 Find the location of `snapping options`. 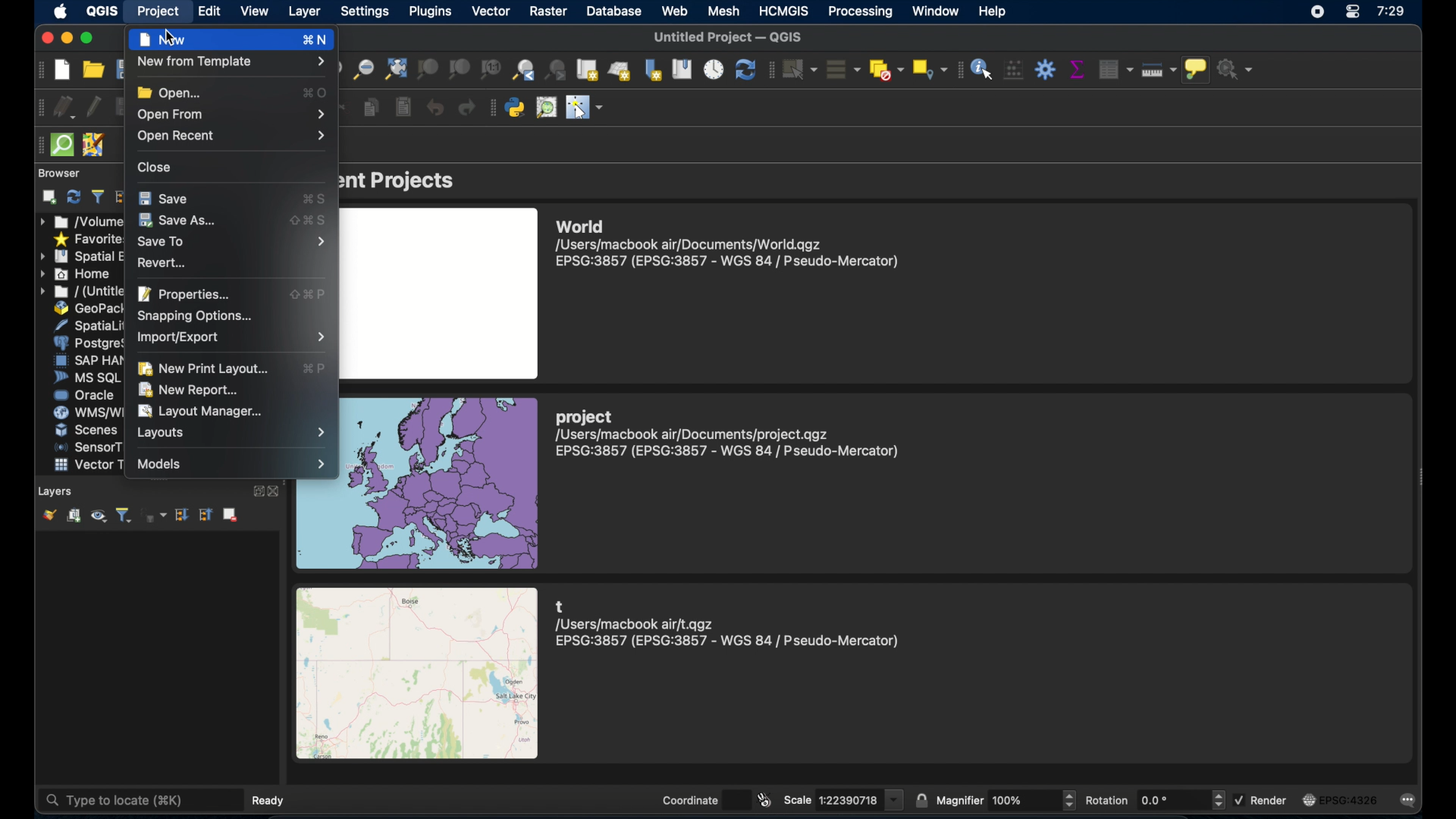

snapping options is located at coordinates (198, 315).